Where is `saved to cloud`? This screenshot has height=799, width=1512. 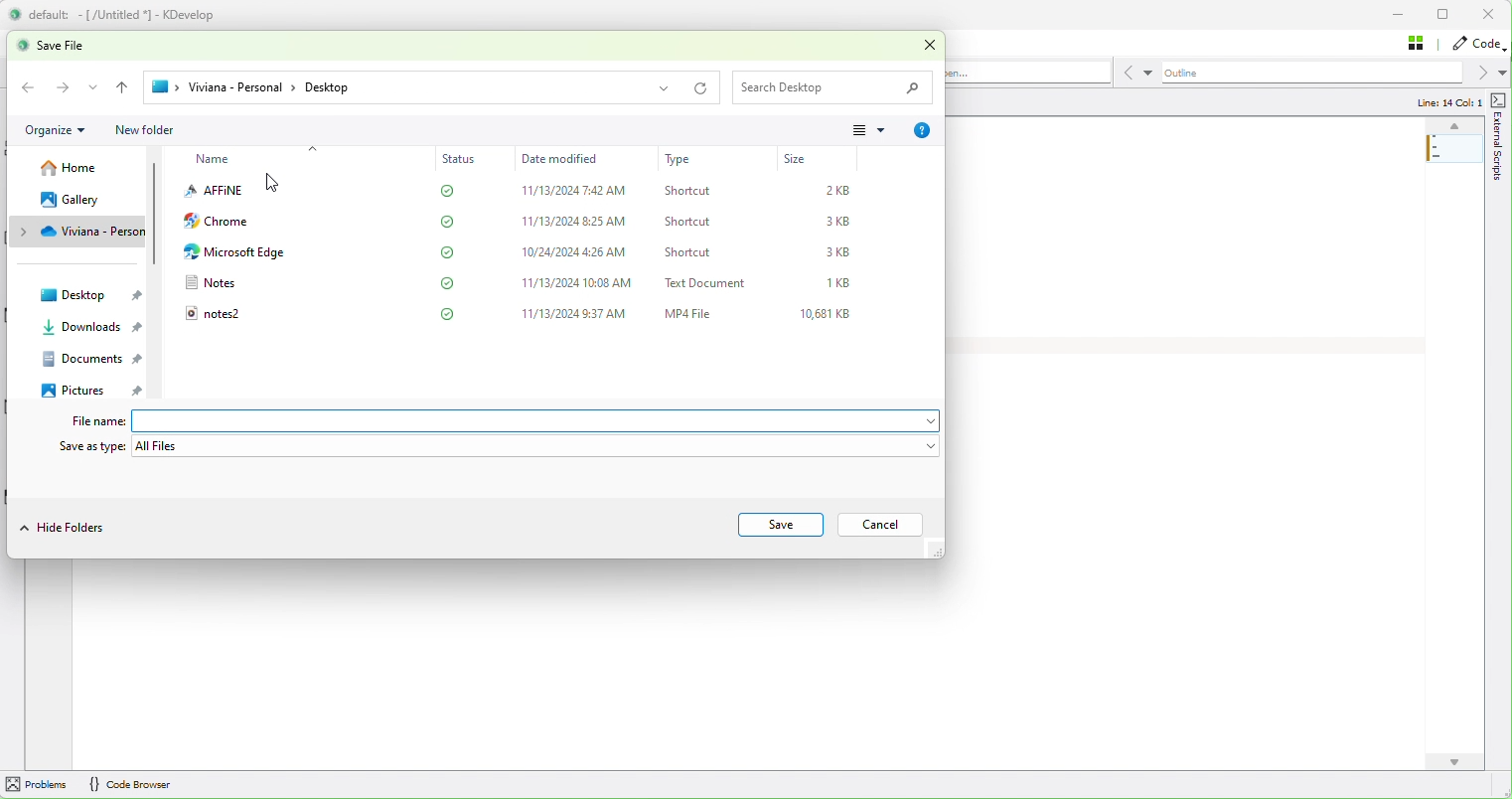 saved to cloud is located at coordinates (449, 191).